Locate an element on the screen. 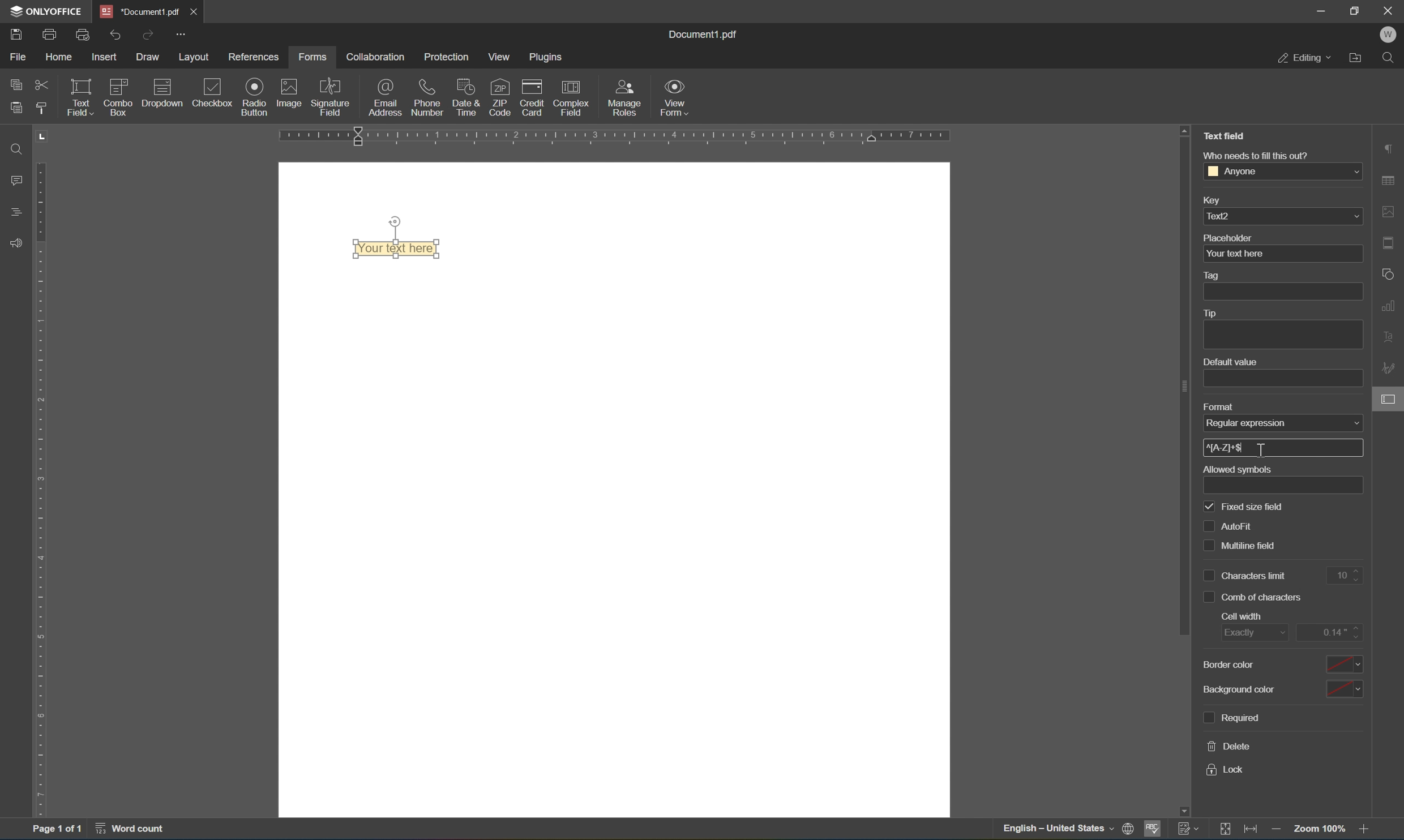 The height and width of the screenshot is (840, 1404). zoom 100% is located at coordinates (1318, 828).